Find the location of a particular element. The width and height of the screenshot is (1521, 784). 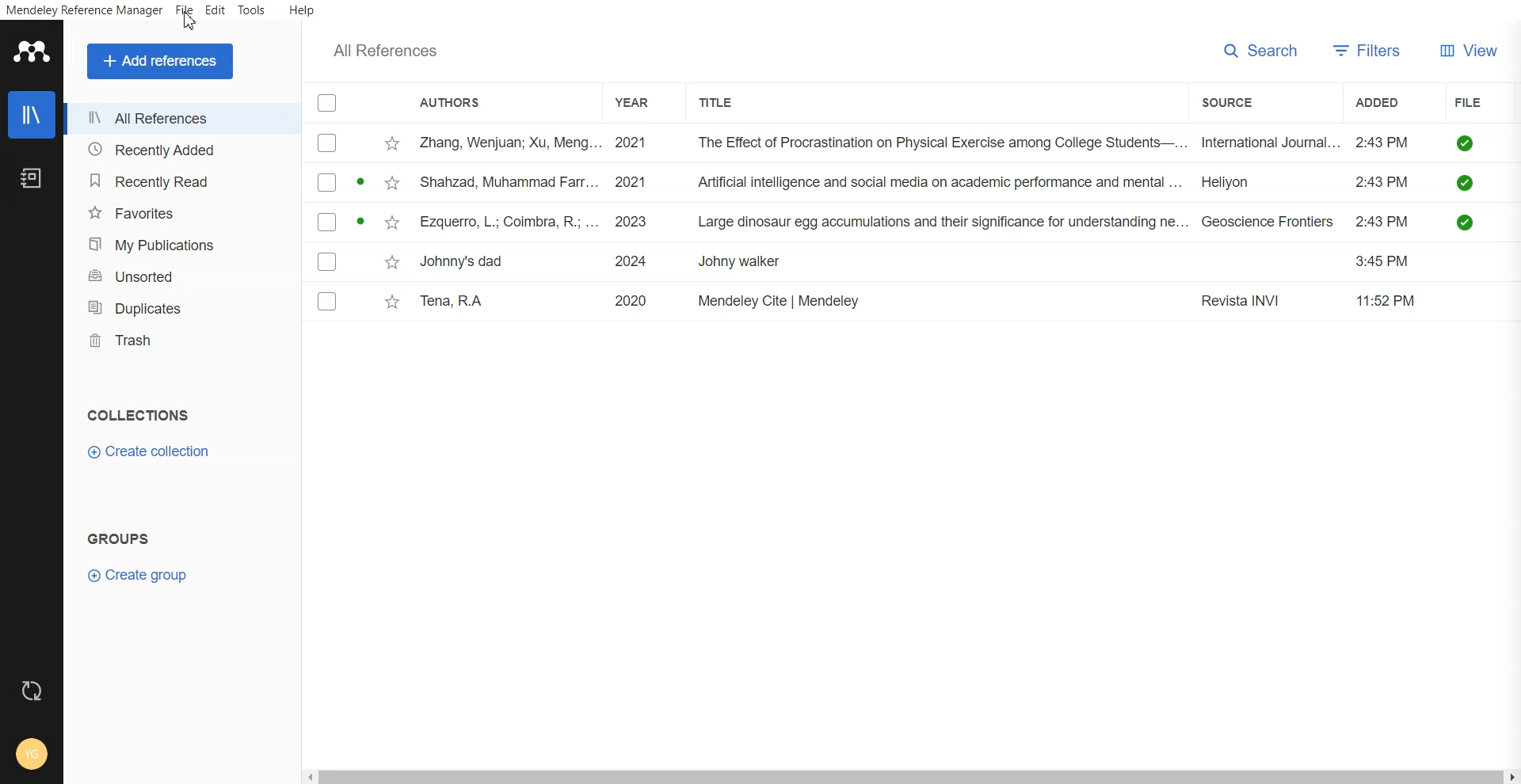

Title is located at coordinates (721, 102).